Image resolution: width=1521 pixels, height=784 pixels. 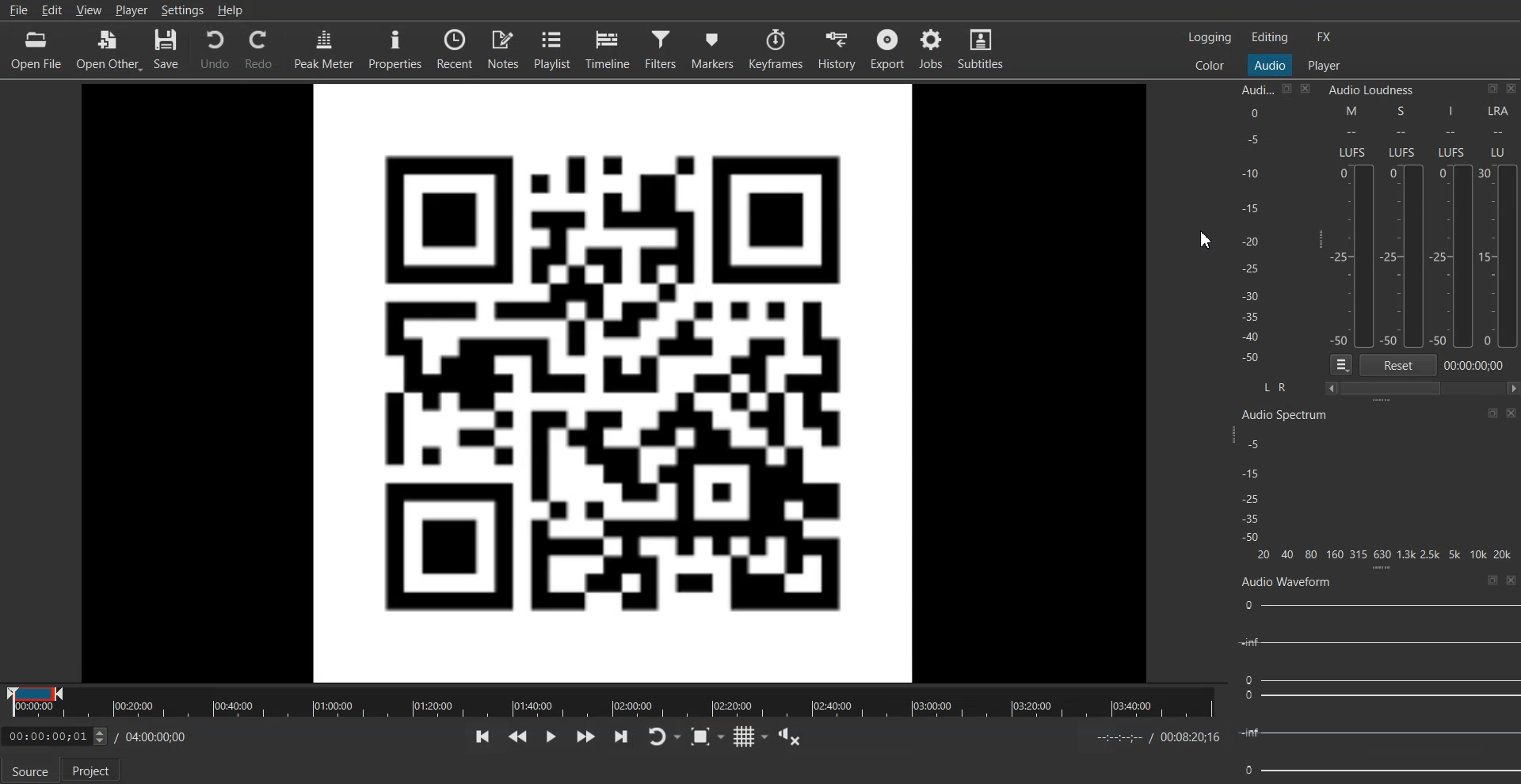 What do you see at coordinates (1318, 238) in the screenshot?
I see `Window Adjuster` at bounding box center [1318, 238].